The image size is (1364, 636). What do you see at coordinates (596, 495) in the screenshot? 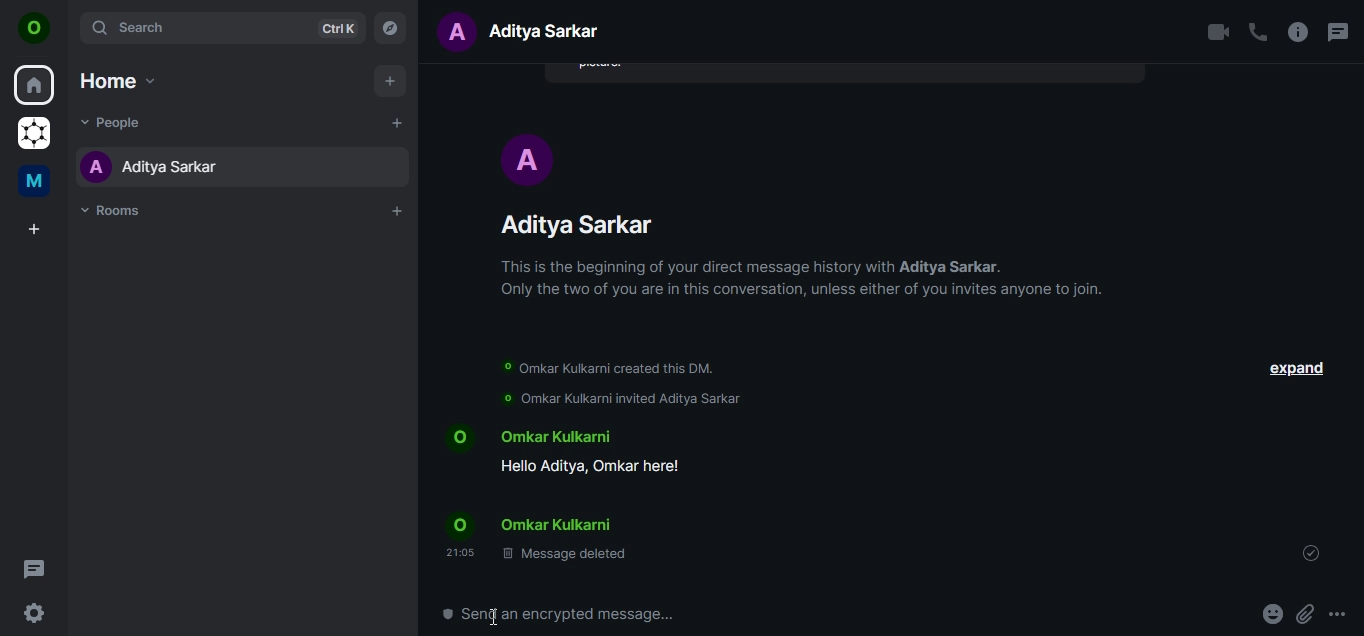
I see `text` at bounding box center [596, 495].